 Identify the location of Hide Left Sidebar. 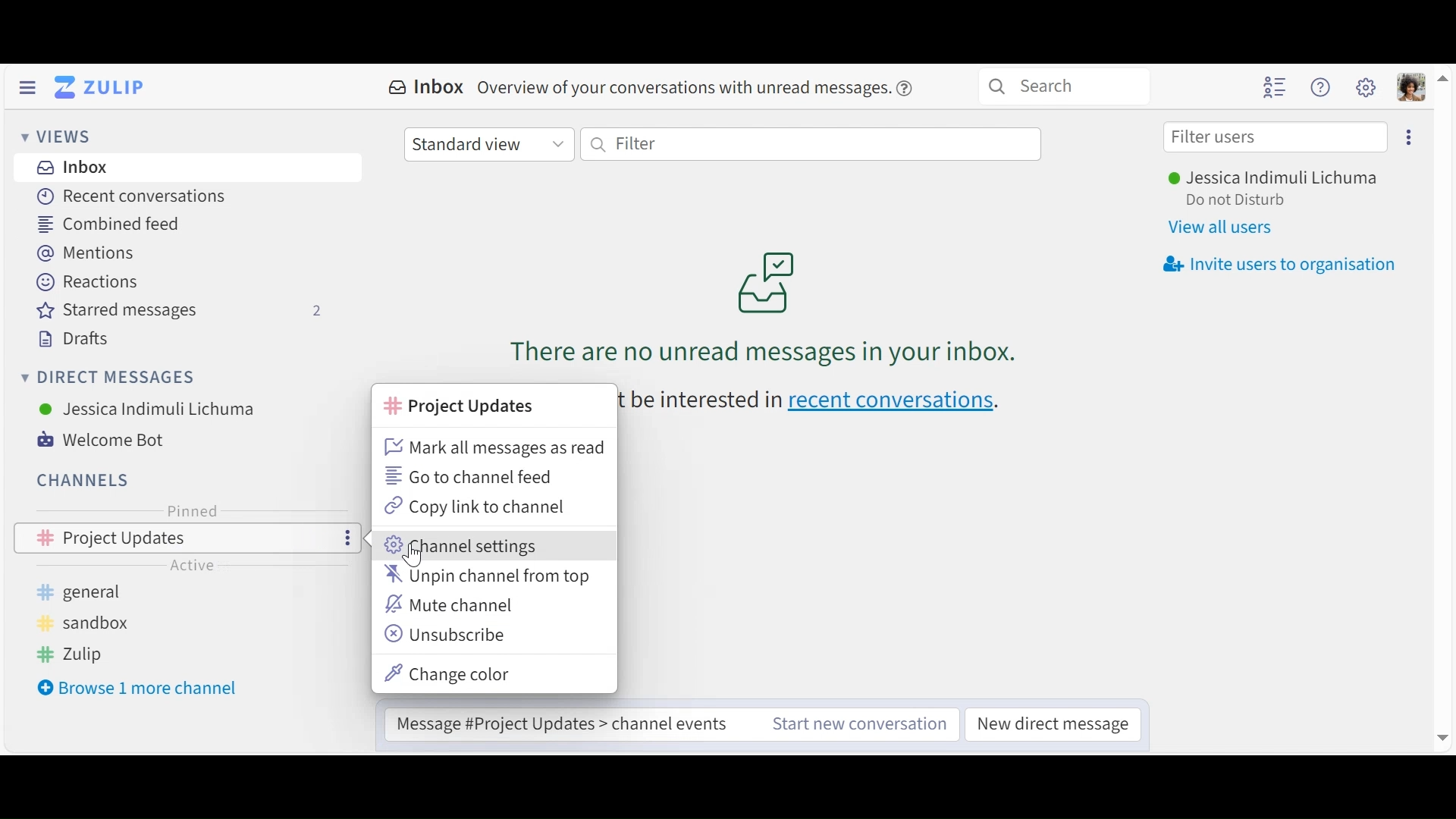
(27, 88).